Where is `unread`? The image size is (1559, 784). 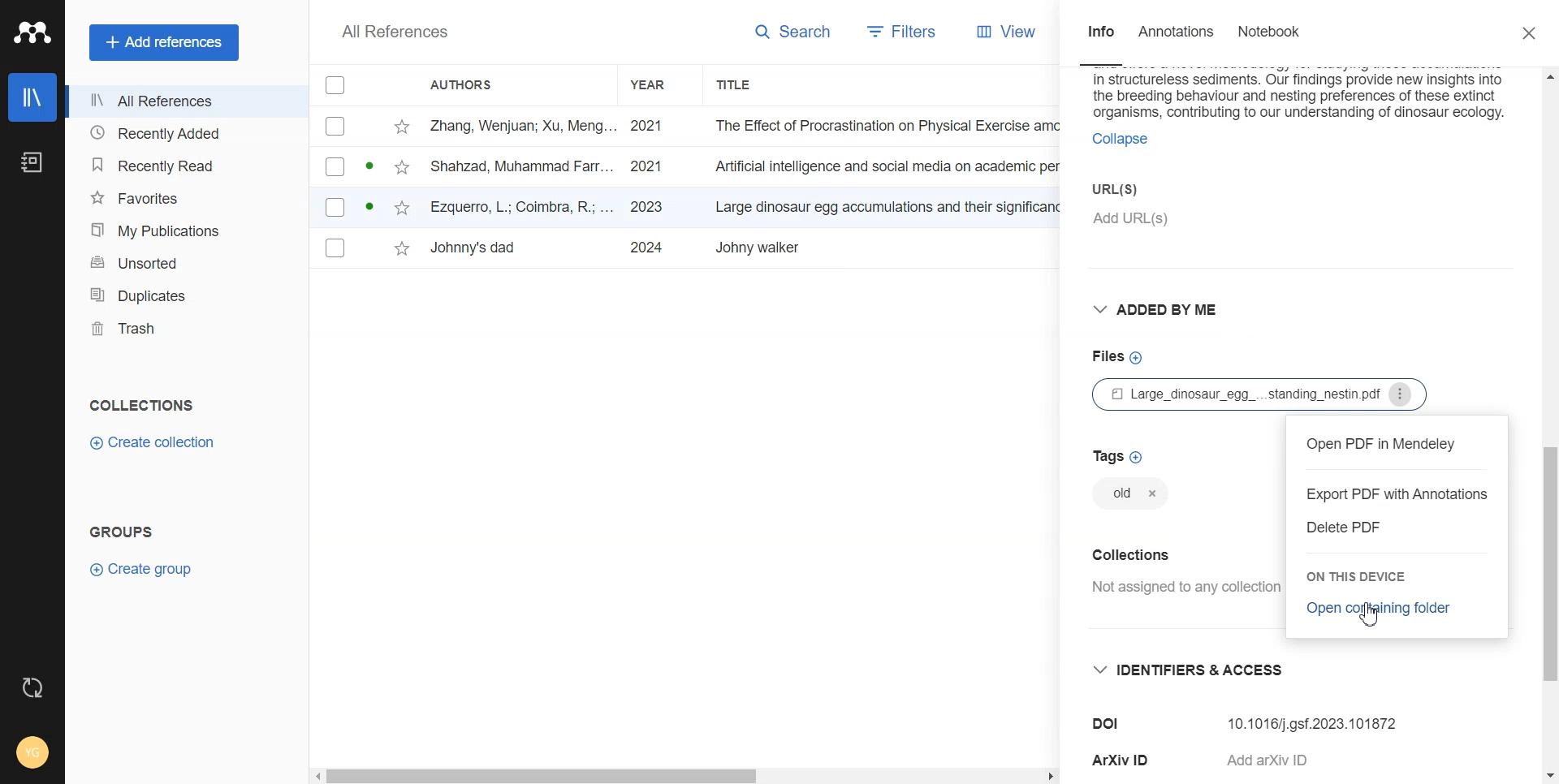
unread is located at coordinates (368, 166).